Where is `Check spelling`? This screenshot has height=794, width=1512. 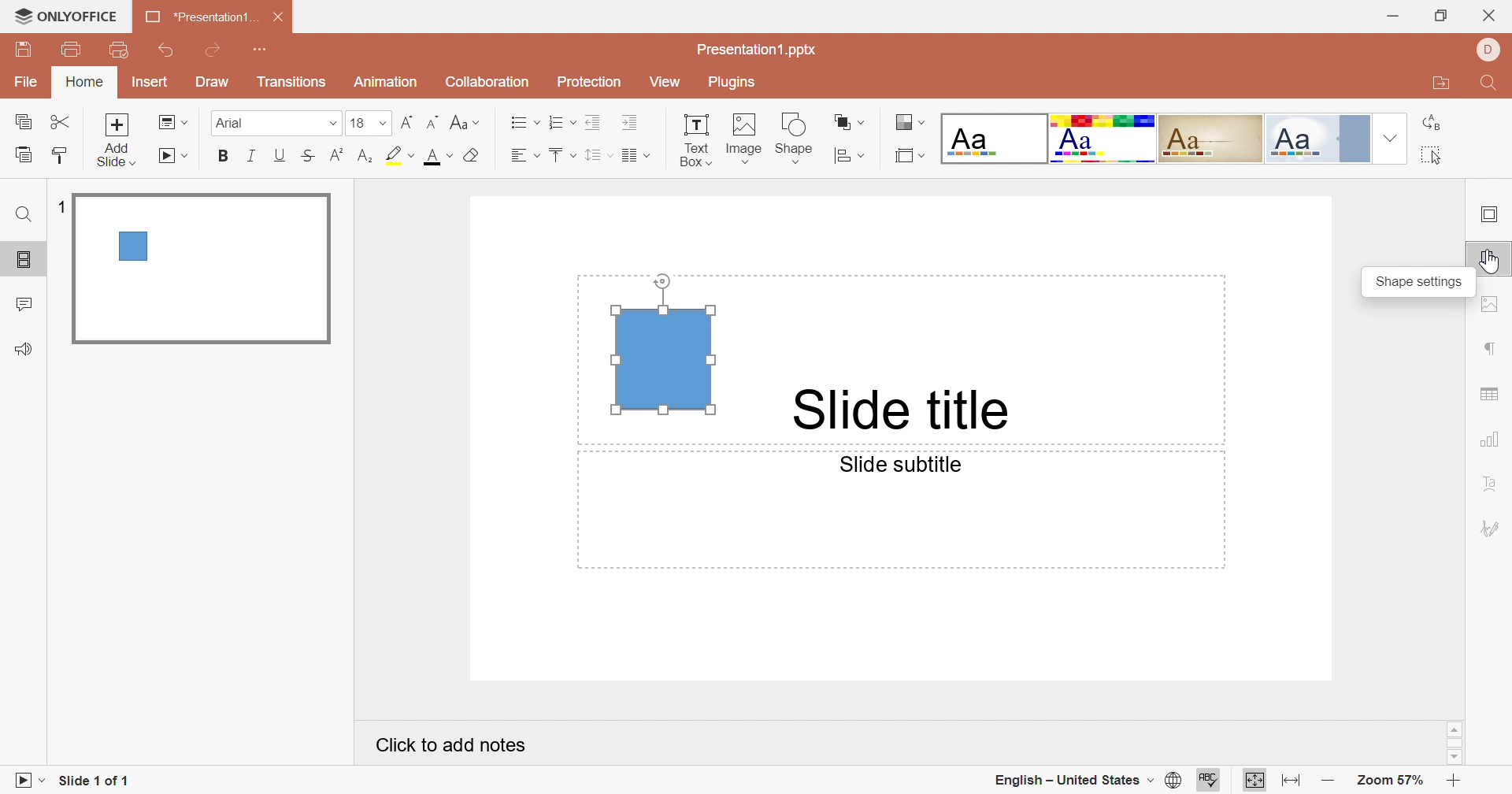 Check spelling is located at coordinates (1210, 781).